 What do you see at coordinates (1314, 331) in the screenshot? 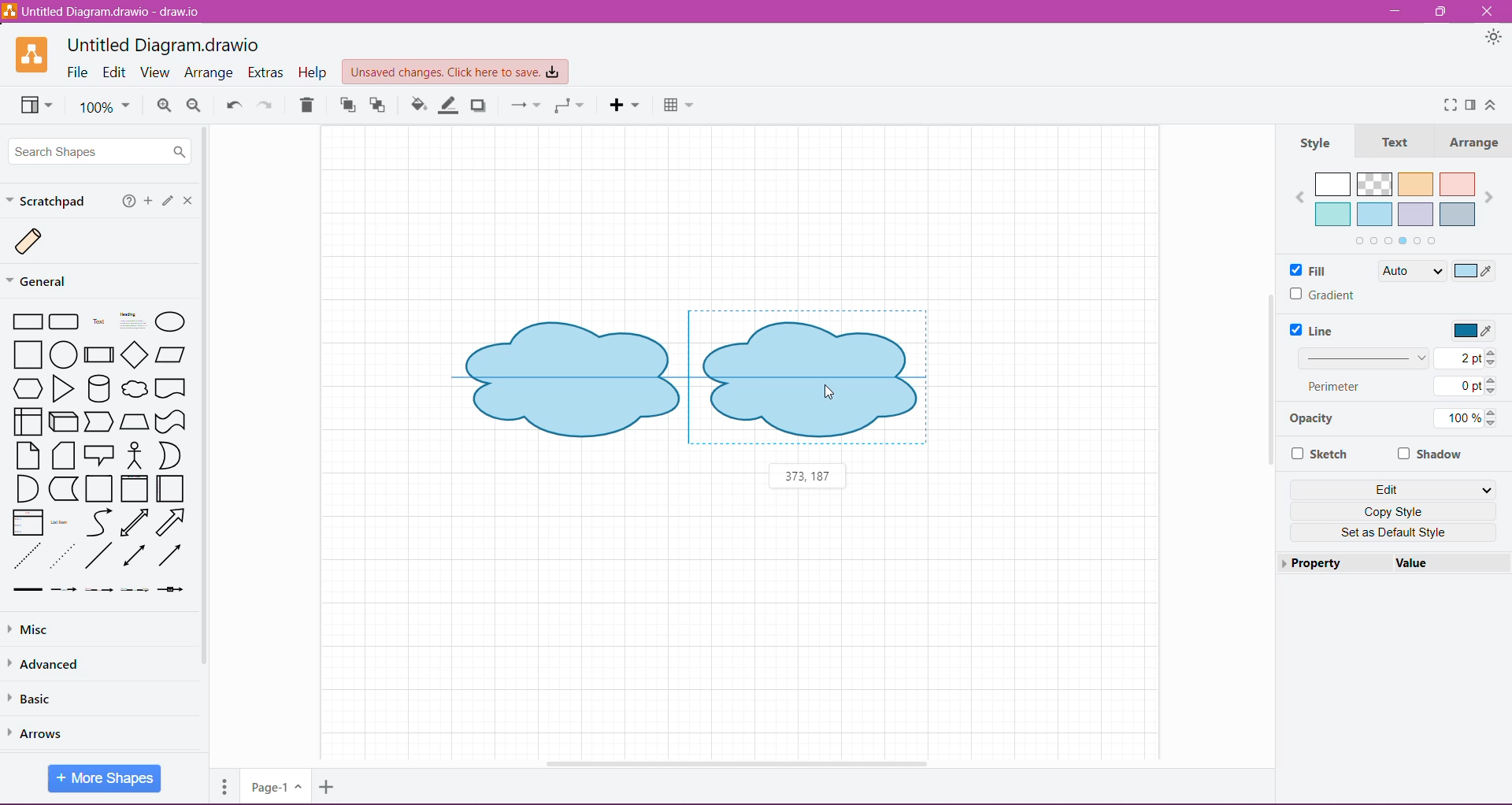
I see `Line` at bounding box center [1314, 331].